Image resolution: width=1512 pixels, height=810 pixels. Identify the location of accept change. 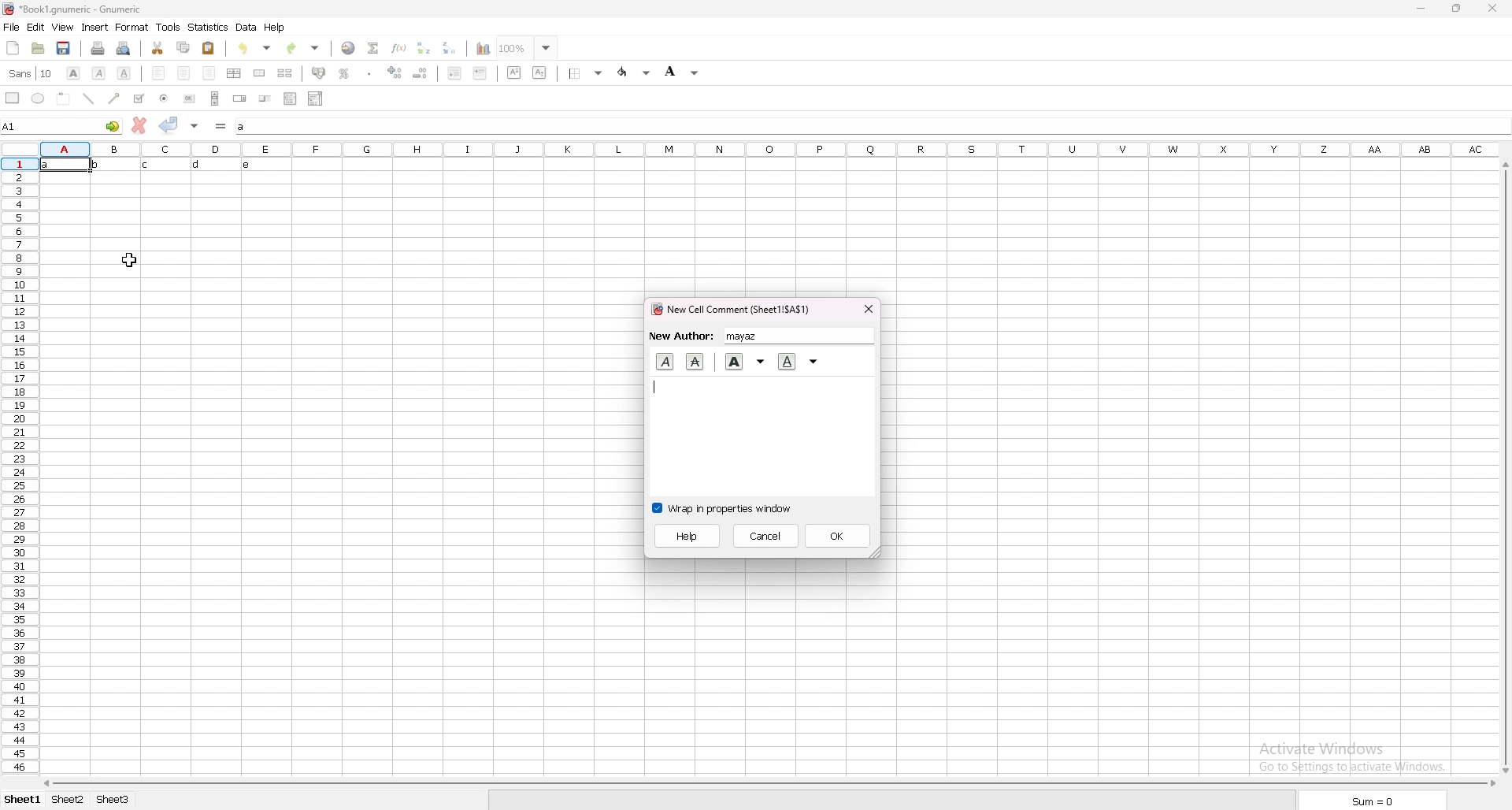
(169, 124).